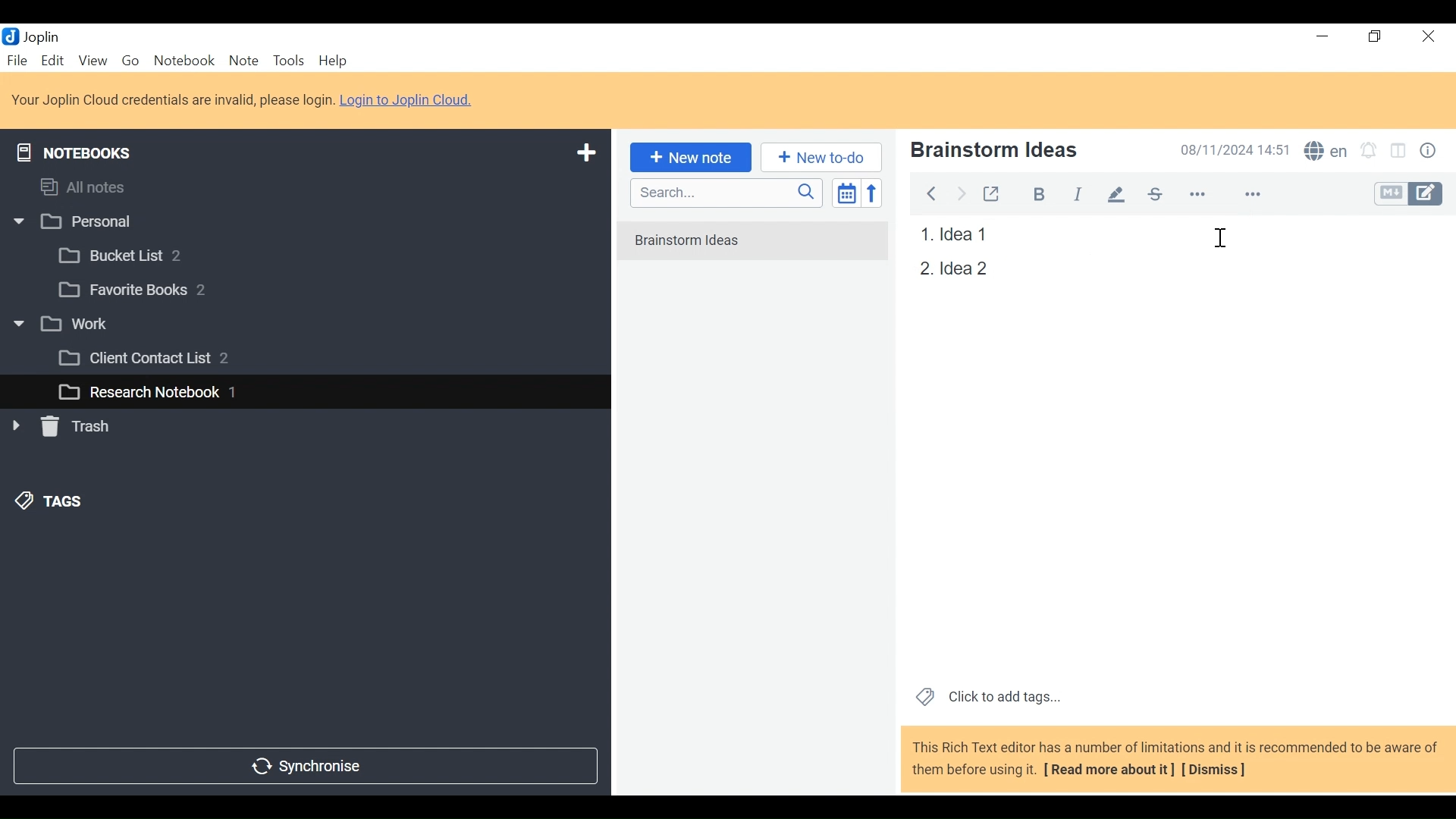 The image size is (1456, 819). Describe the element at coordinates (1369, 152) in the screenshot. I see `Set alarm` at that location.